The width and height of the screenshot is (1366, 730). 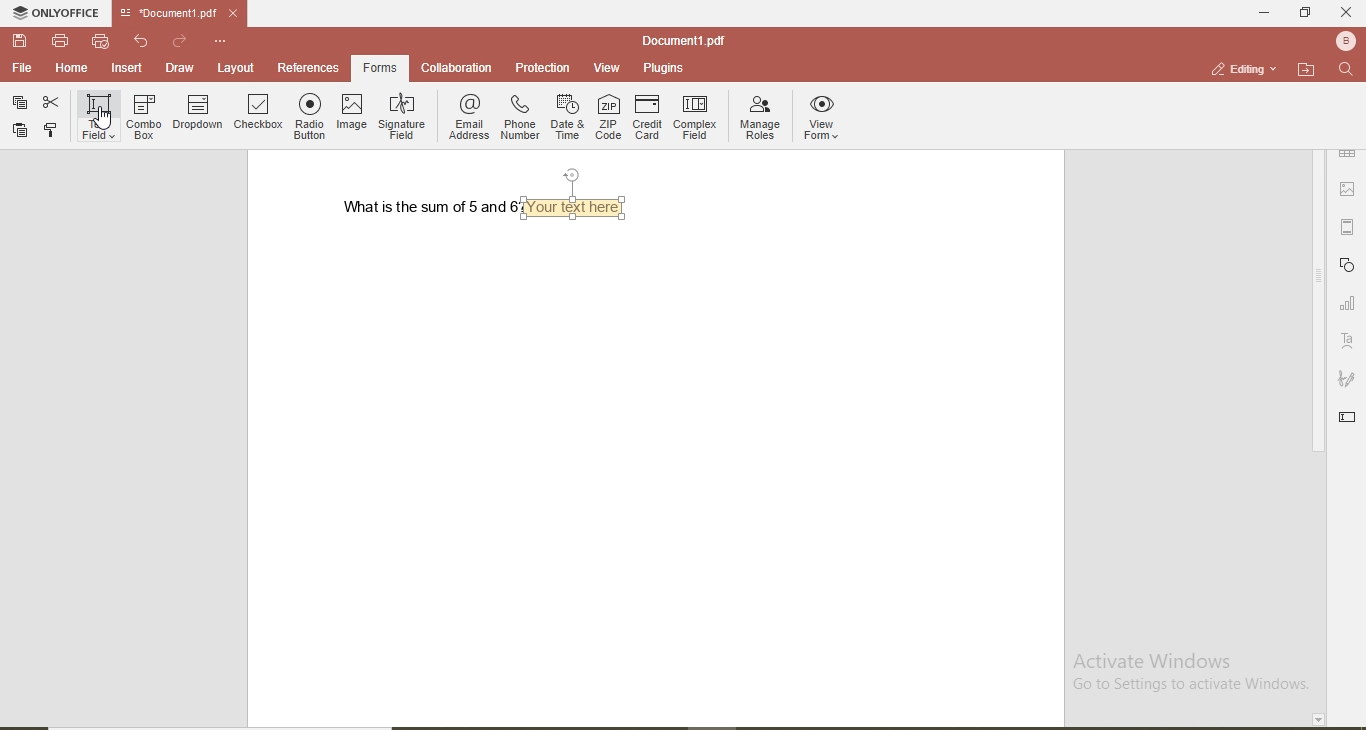 I want to click on text field, so click(x=575, y=196).